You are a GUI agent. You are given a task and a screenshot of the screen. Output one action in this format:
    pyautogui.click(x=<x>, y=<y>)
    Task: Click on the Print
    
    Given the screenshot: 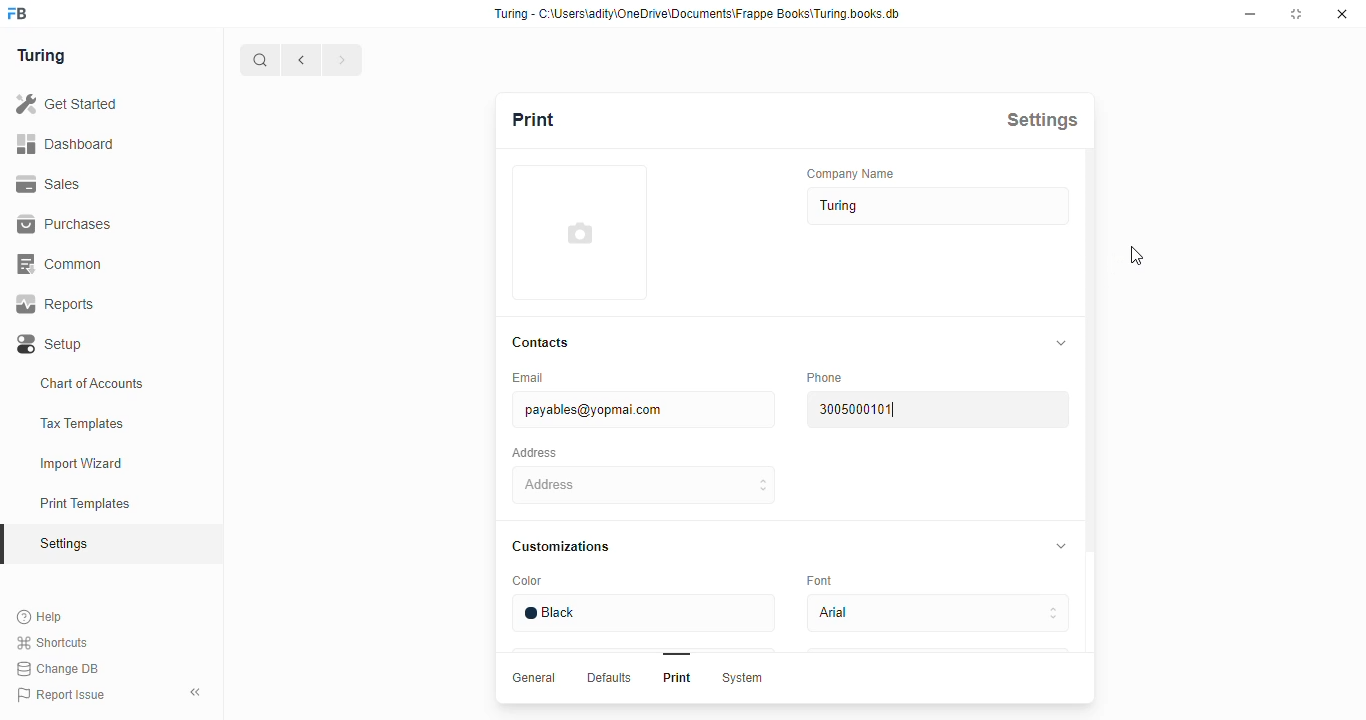 What is the action you would take?
    pyautogui.click(x=676, y=678)
    